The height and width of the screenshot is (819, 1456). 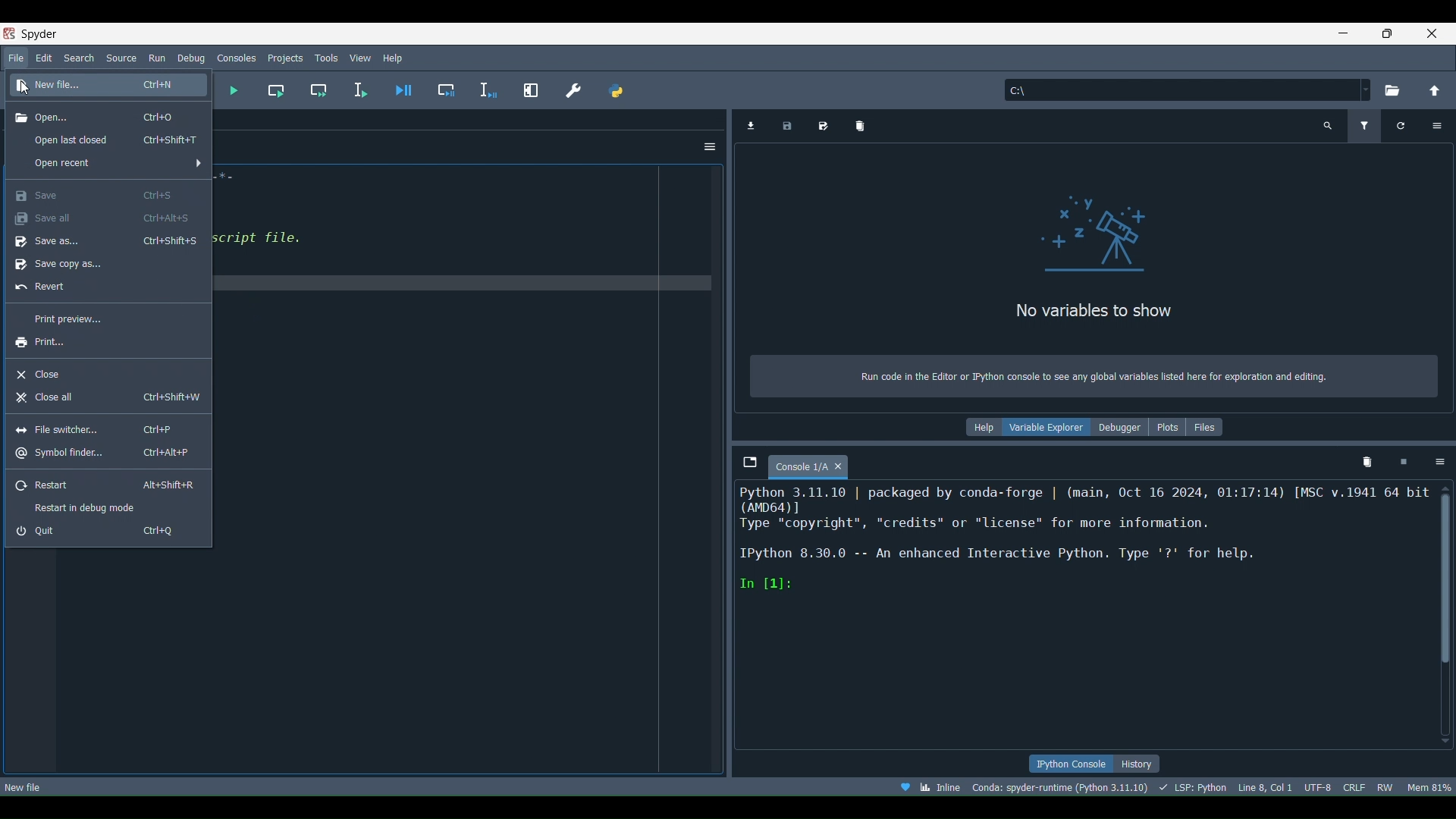 I want to click on Dropdown, so click(x=198, y=162).